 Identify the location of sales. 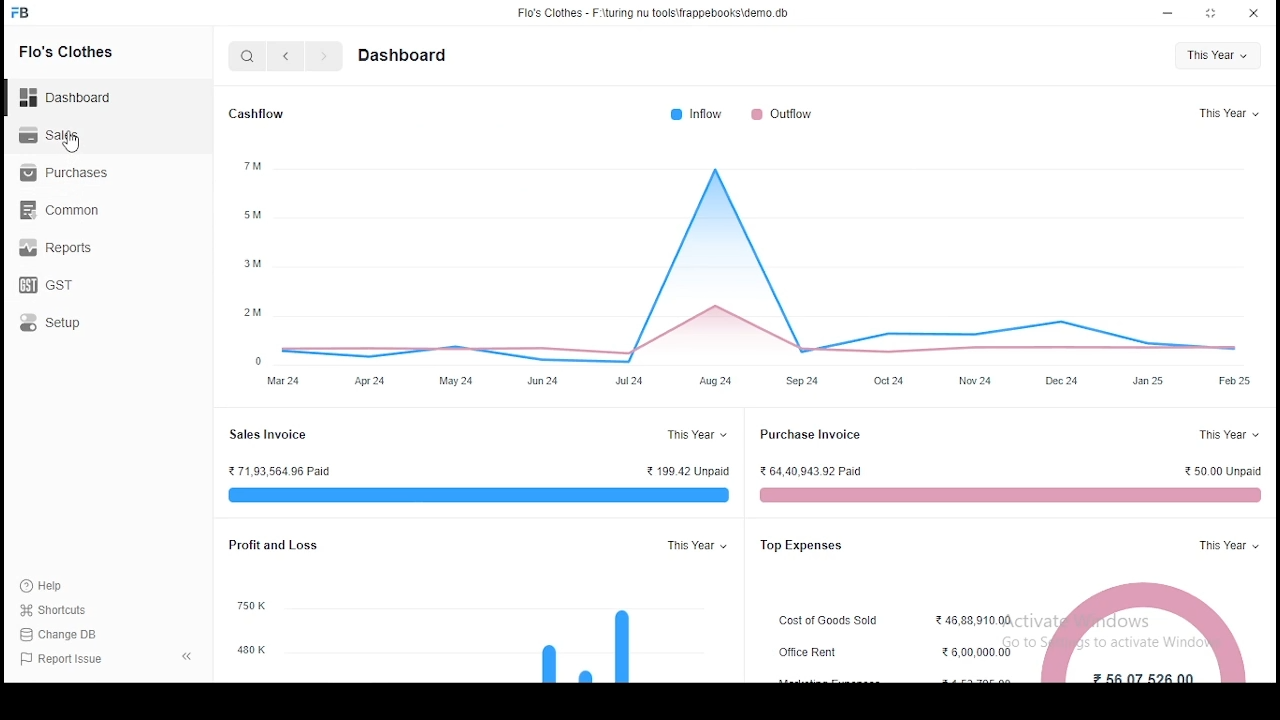
(51, 135).